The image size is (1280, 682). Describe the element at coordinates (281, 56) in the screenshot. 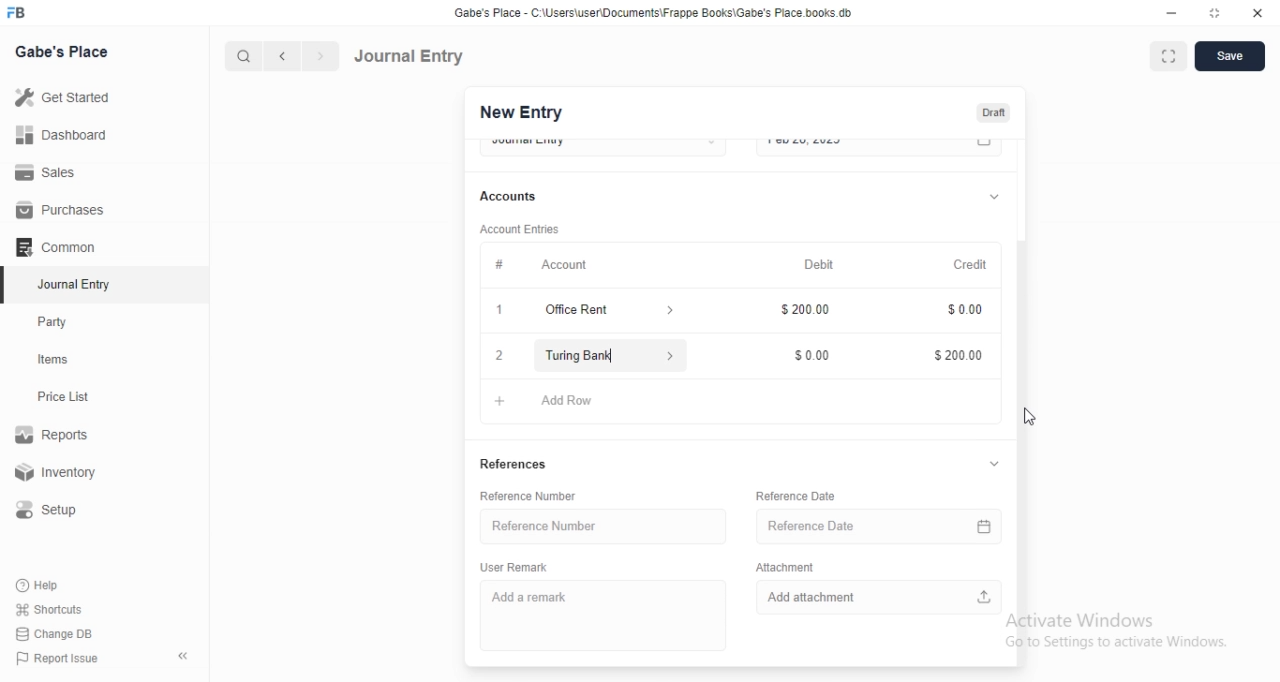

I see `backward` at that location.